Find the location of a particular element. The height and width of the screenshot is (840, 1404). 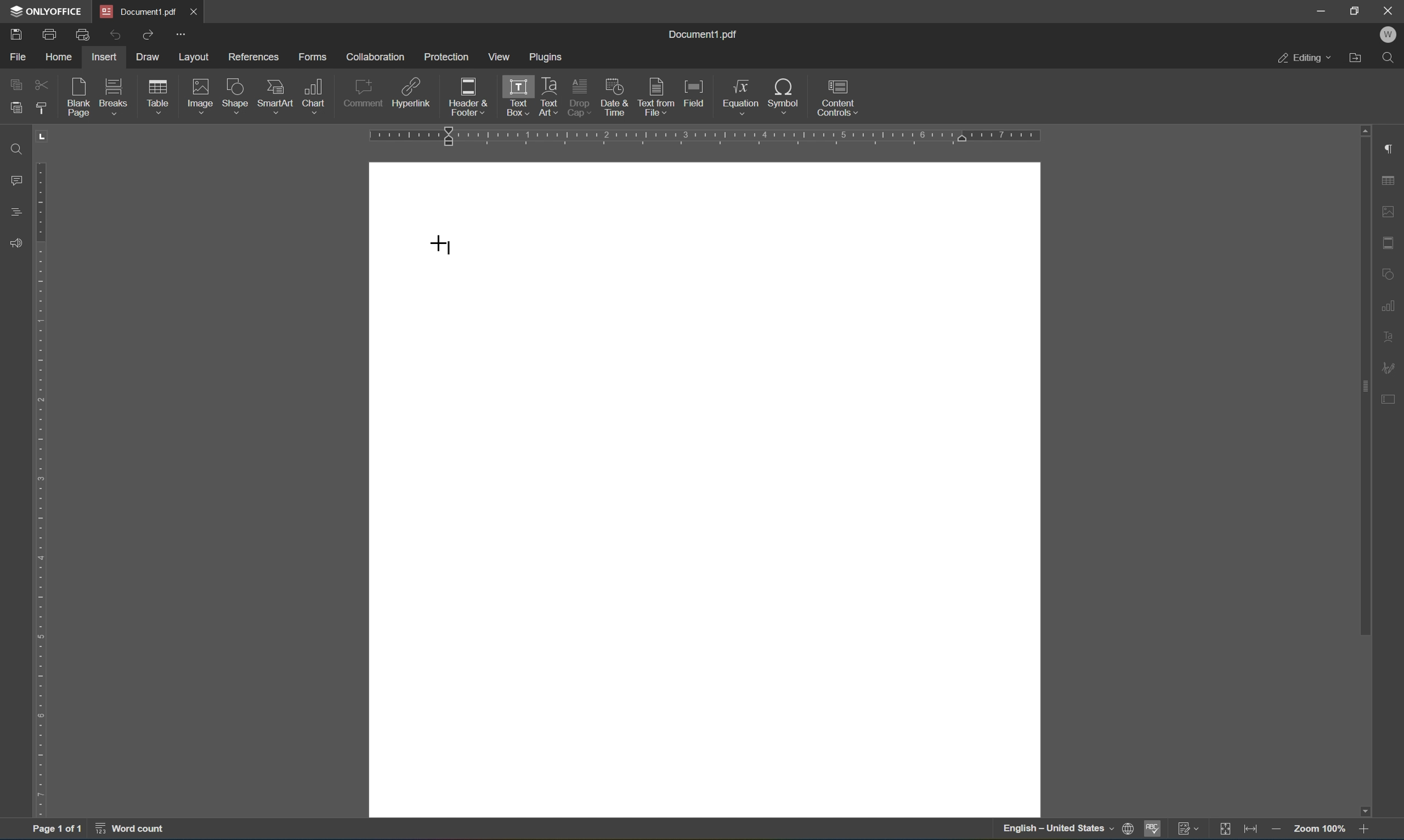

drop cap is located at coordinates (580, 96).